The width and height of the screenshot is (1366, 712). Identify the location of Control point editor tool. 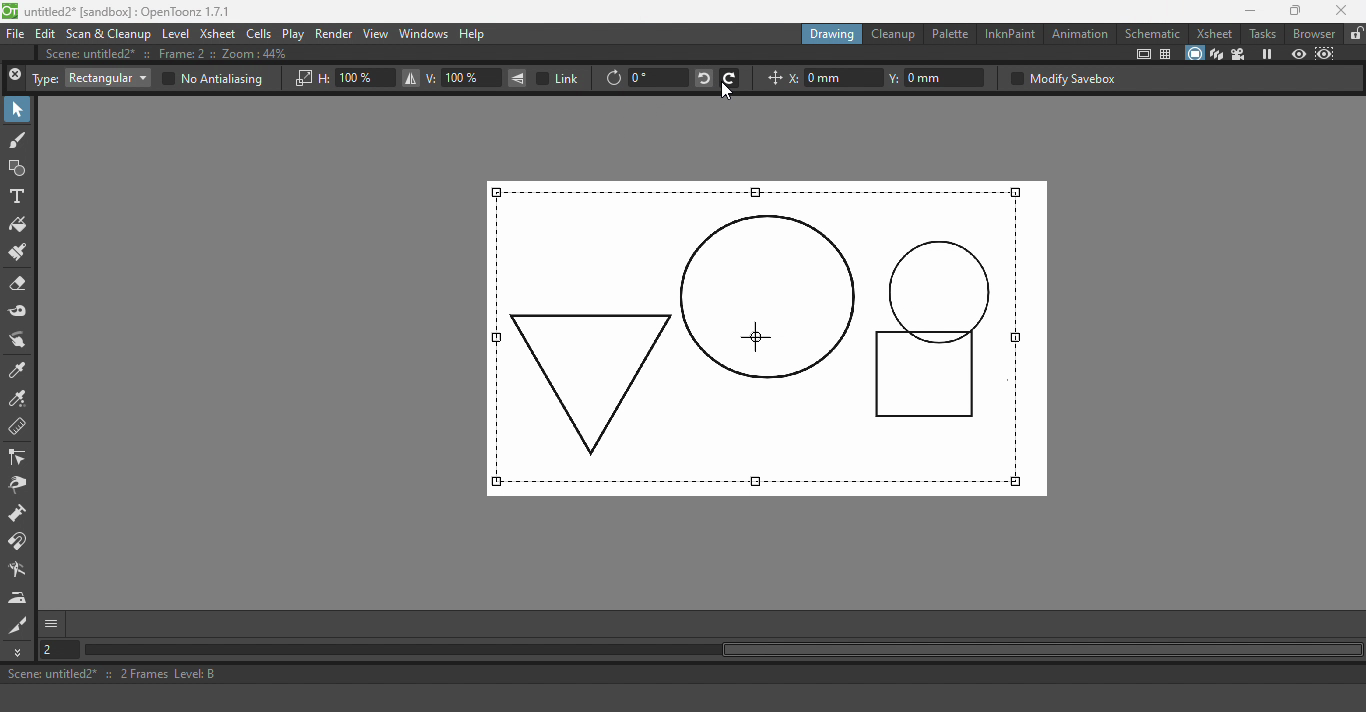
(19, 459).